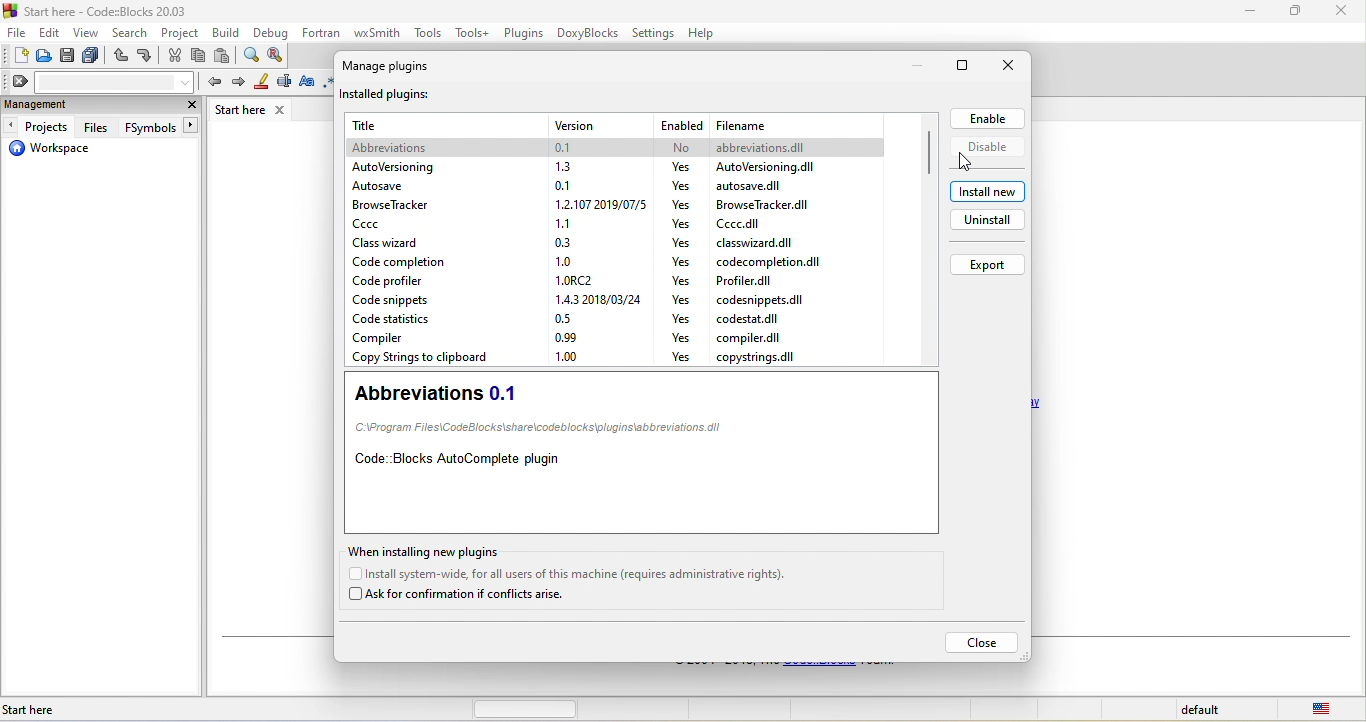 This screenshot has width=1366, height=722. Describe the element at coordinates (17, 31) in the screenshot. I see `file` at that location.